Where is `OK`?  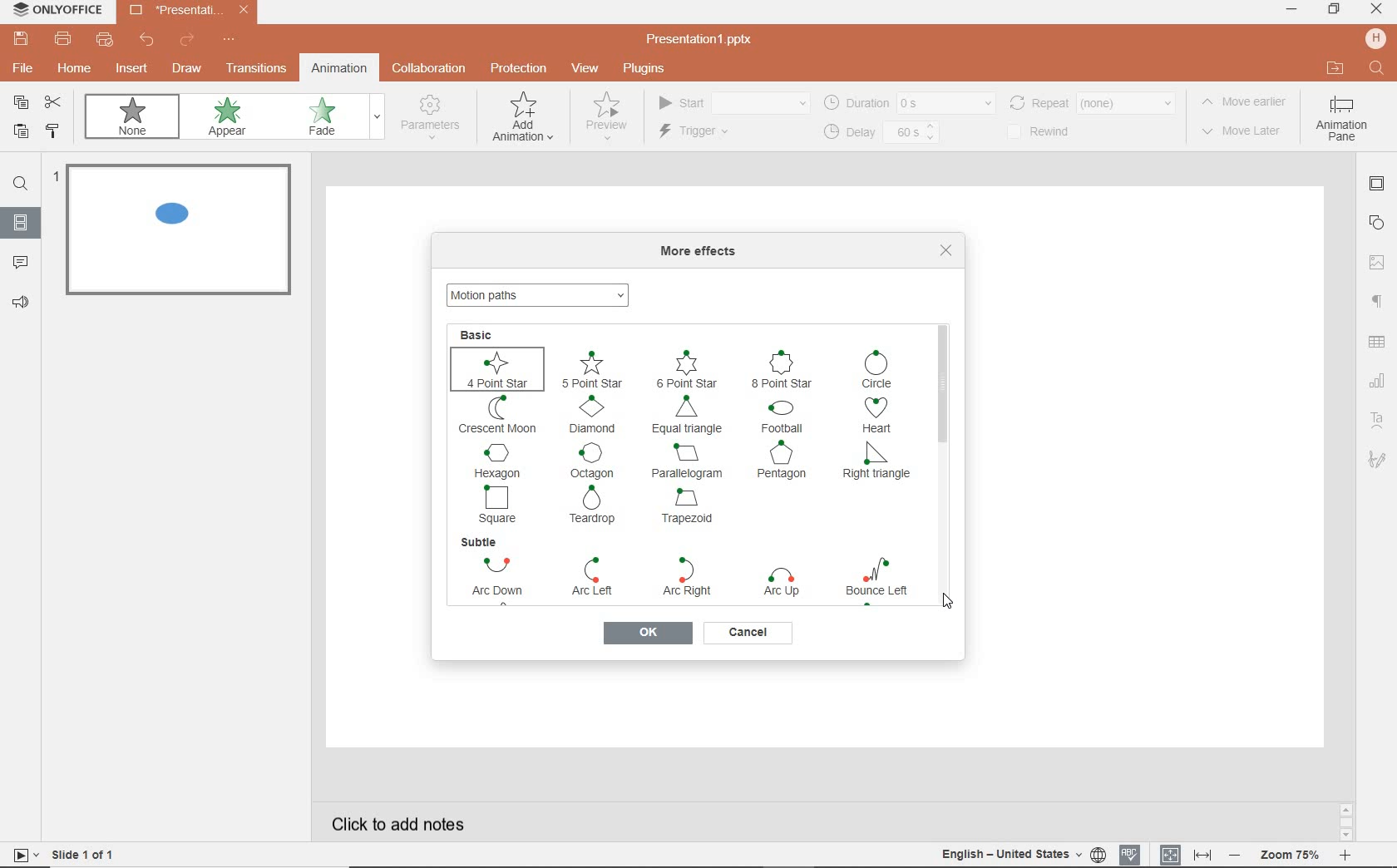 OK is located at coordinates (646, 634).